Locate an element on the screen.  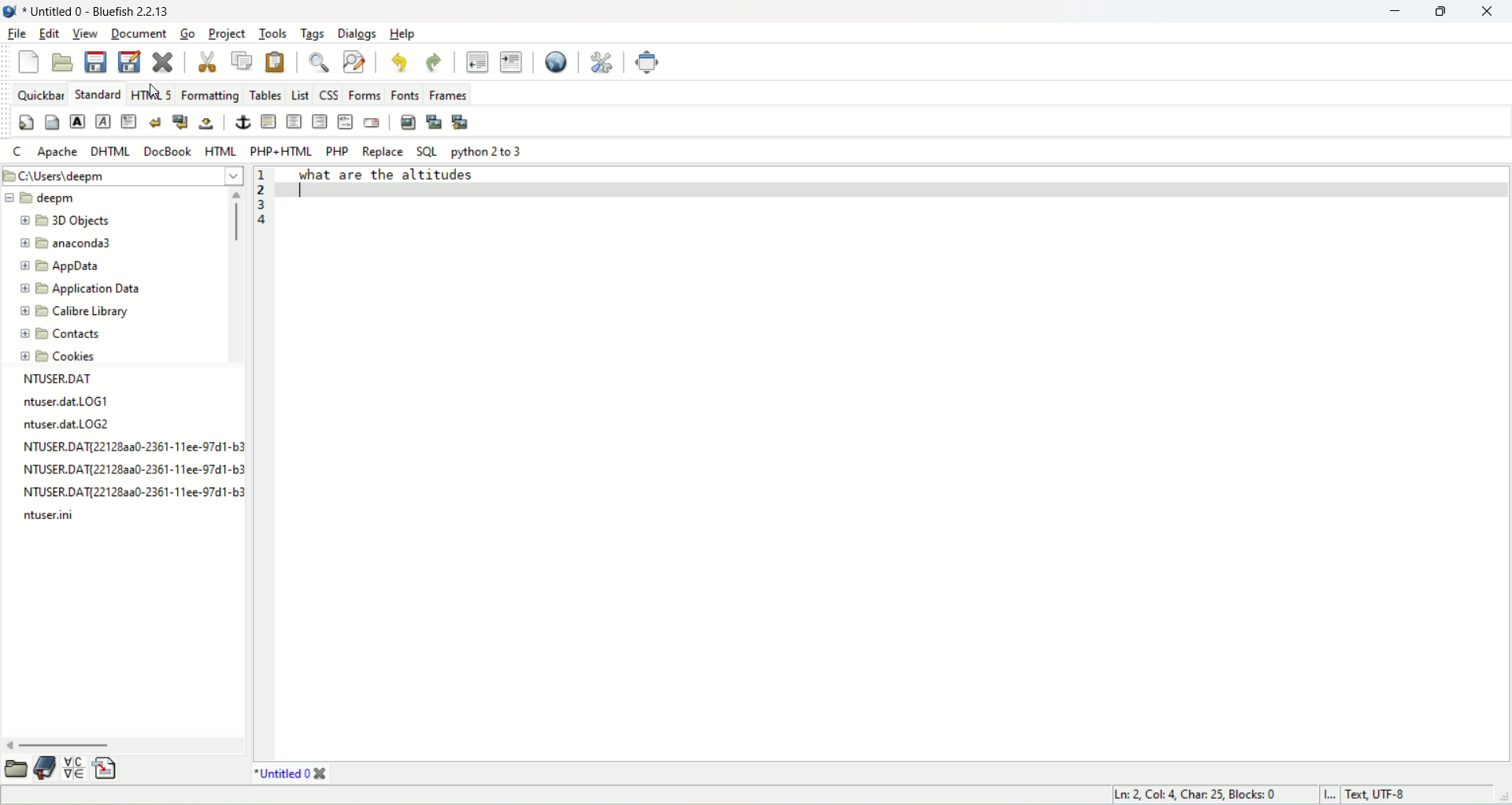
paste is located at coordinates (275, 61).